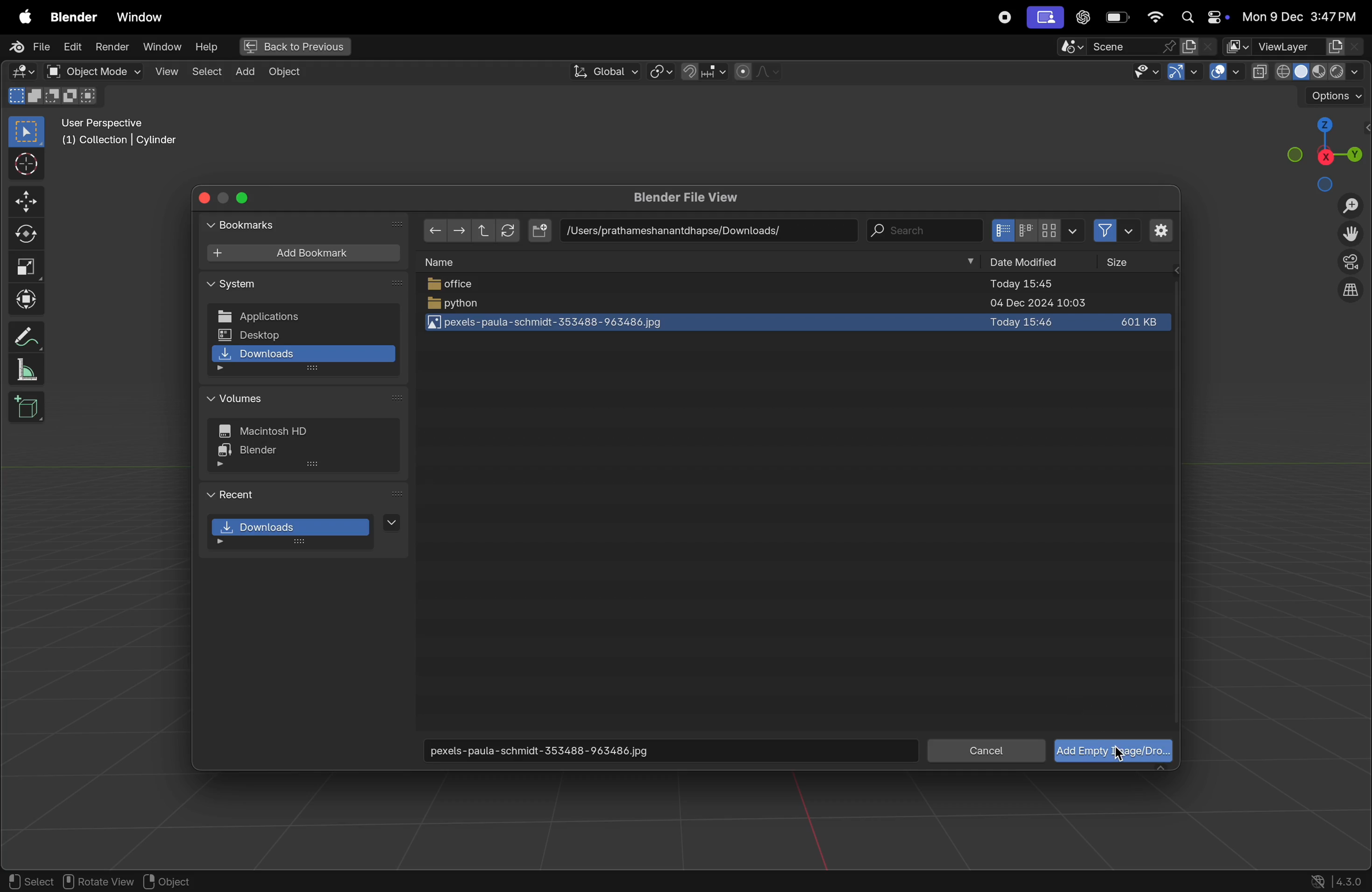  Describe the element at coordinates (178, 881) in the screenshot. I see `object` at that location.